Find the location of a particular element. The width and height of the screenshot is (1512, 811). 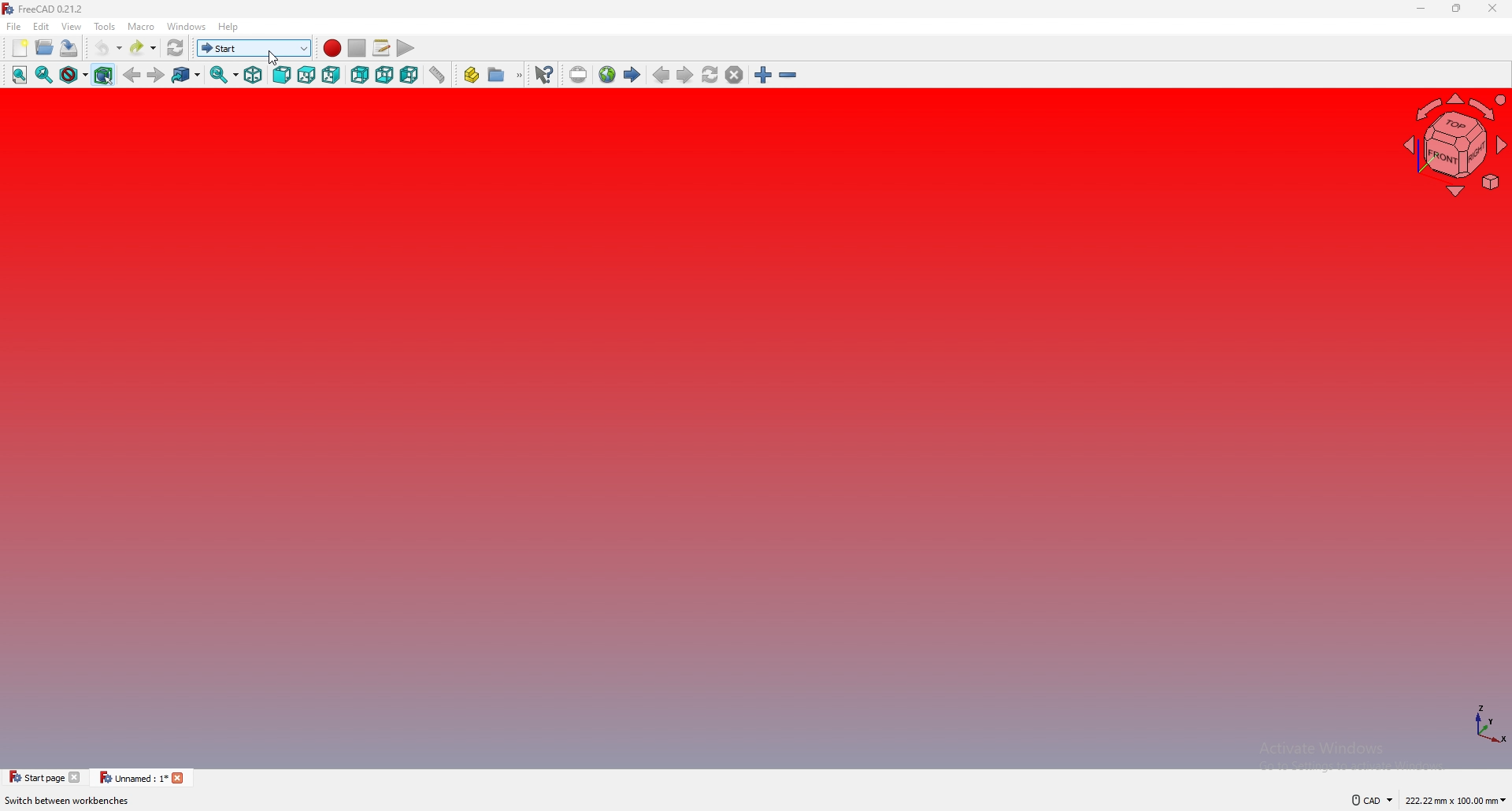

set url is located at coordinates (578, 75).